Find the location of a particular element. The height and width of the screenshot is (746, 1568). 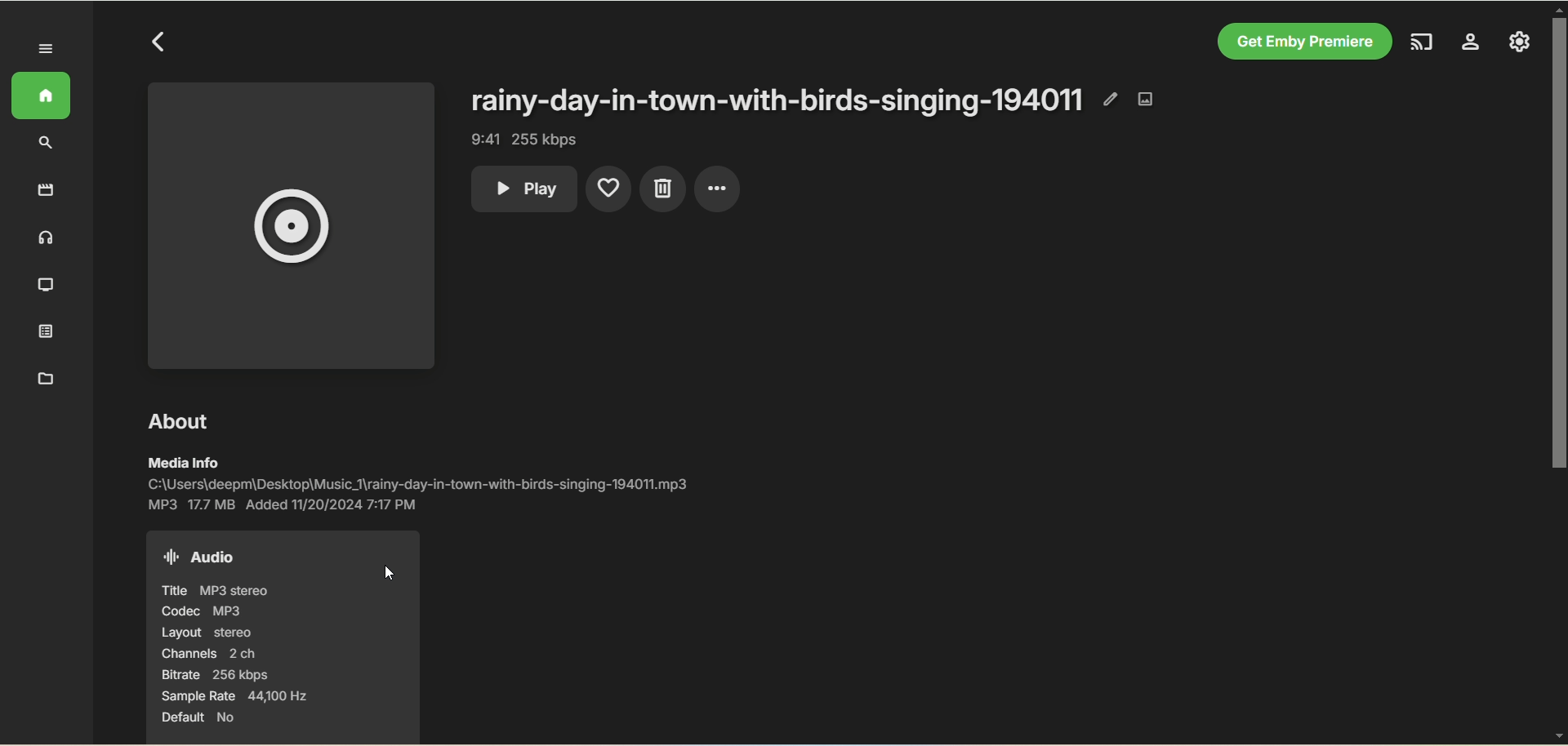

play is located at coordinates (528, 190).